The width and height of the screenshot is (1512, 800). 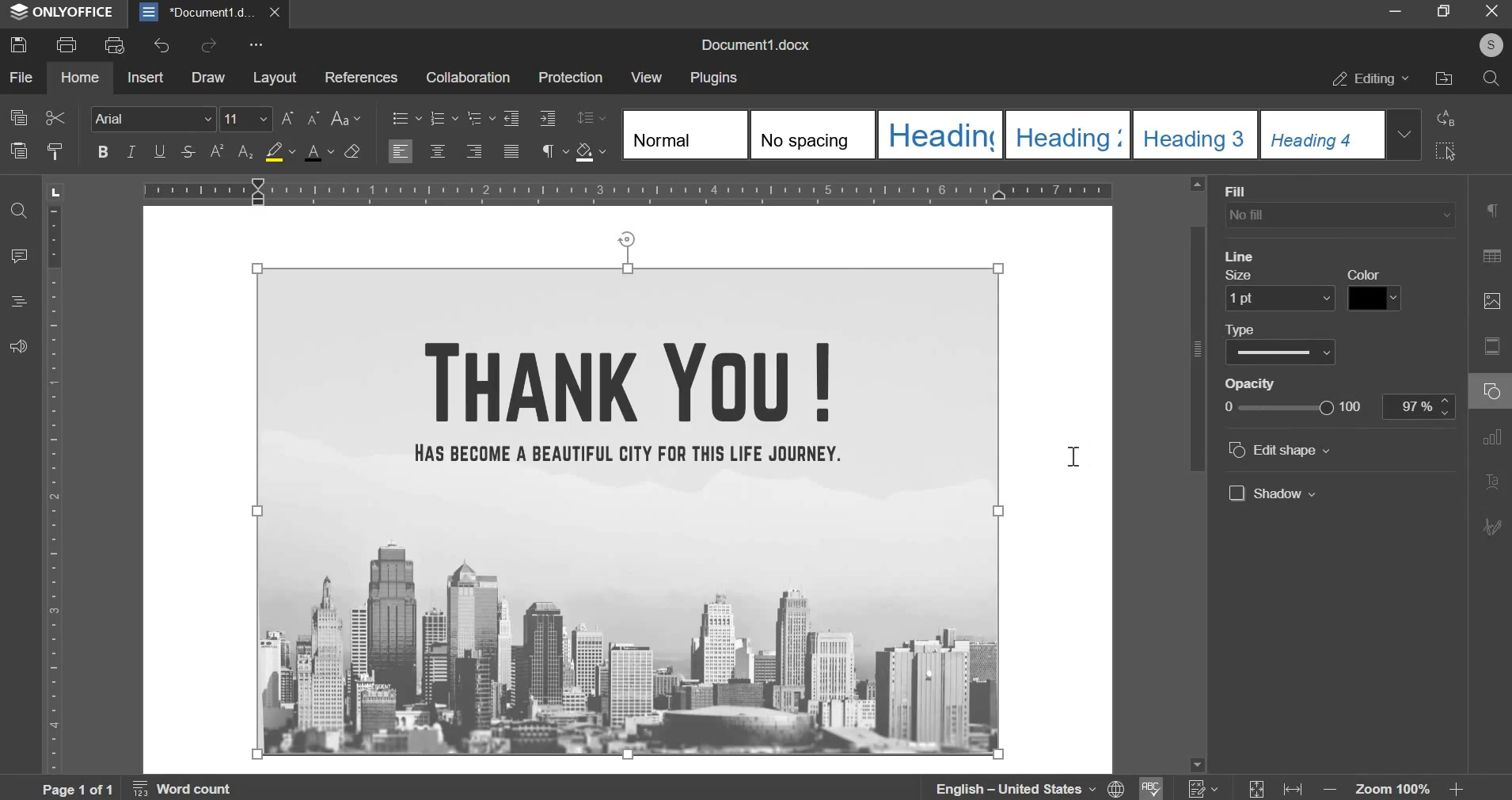 What do you see at coordinates (569, 79) in the screenshot?
I see `protection` at bounding box center [569, 79].